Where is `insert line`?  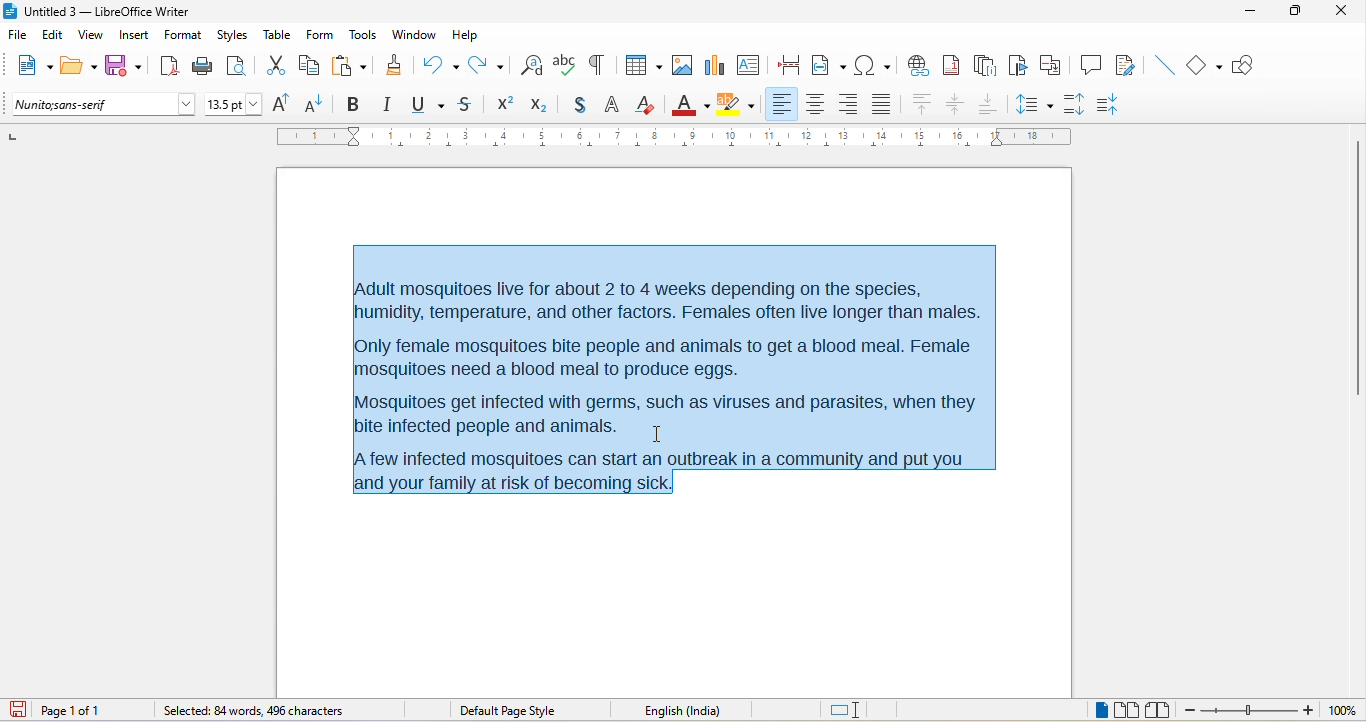 insert line is located at coordinates (1163, 65).